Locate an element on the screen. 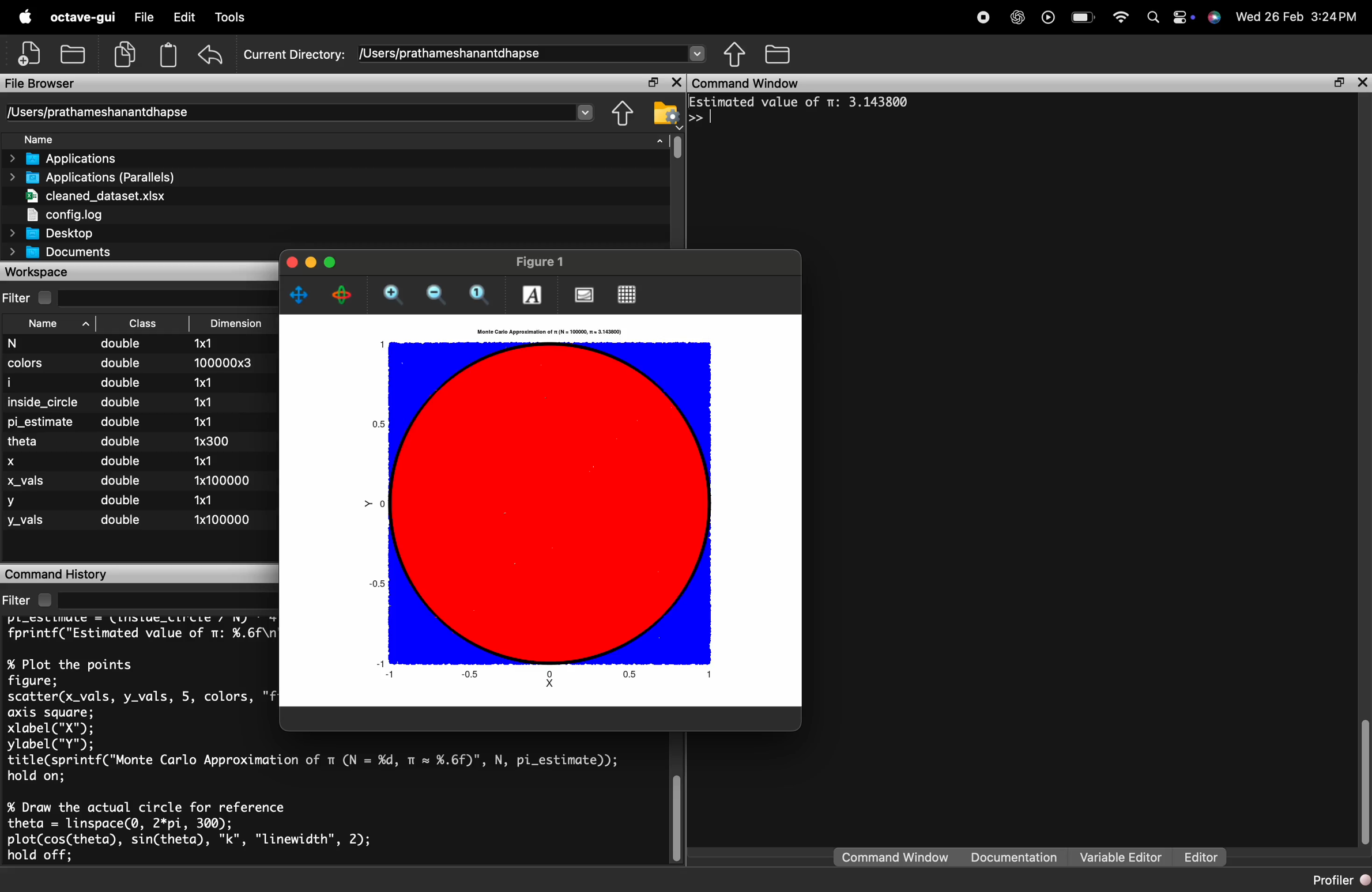 This screenshot has height=892, width=1372. Command Window is located at coordinates (749, 83).